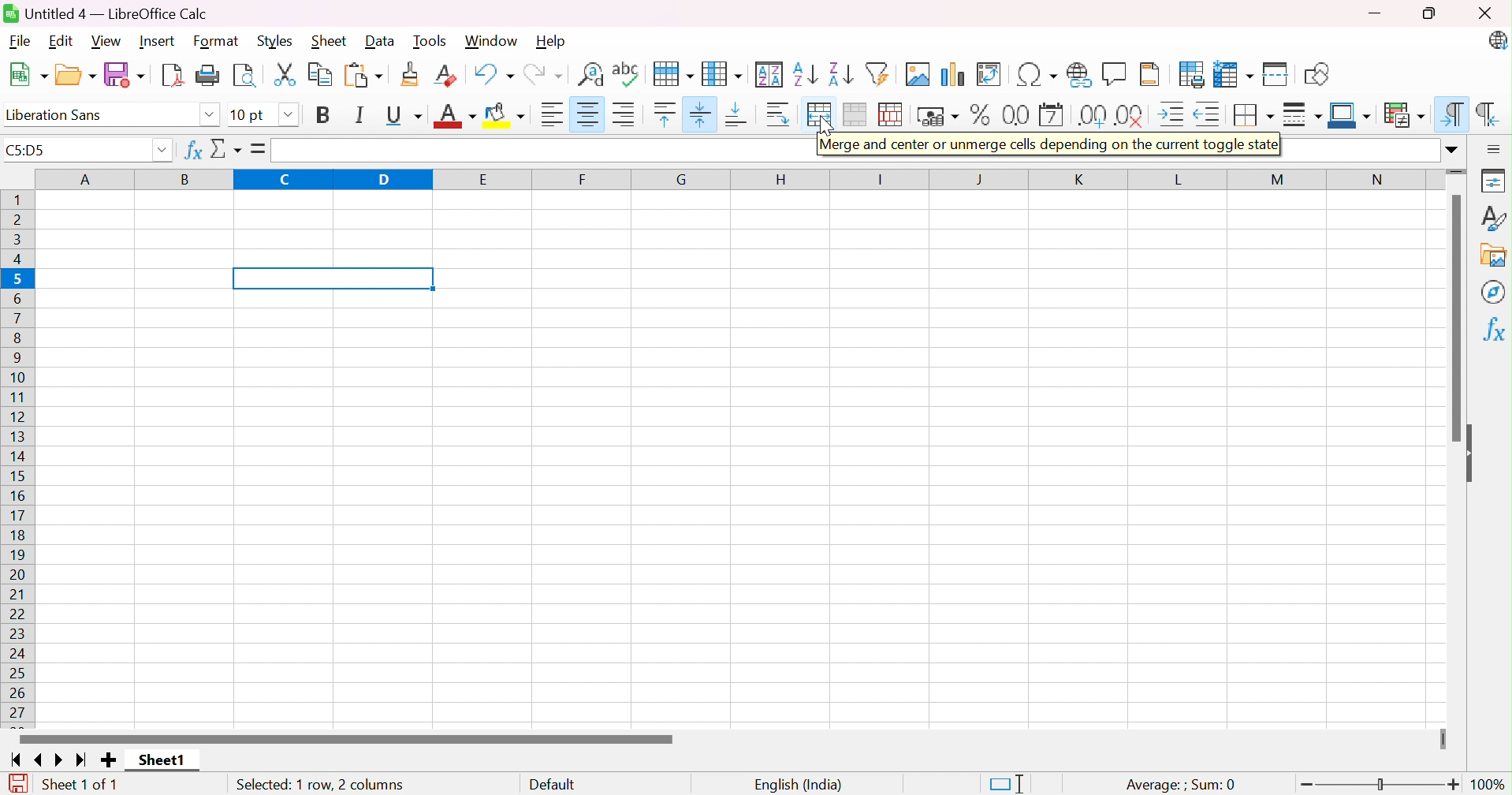  What do you see at coordinates (493, 40) in the screenshot?
I see `Window` at bounding box center [493, 40].